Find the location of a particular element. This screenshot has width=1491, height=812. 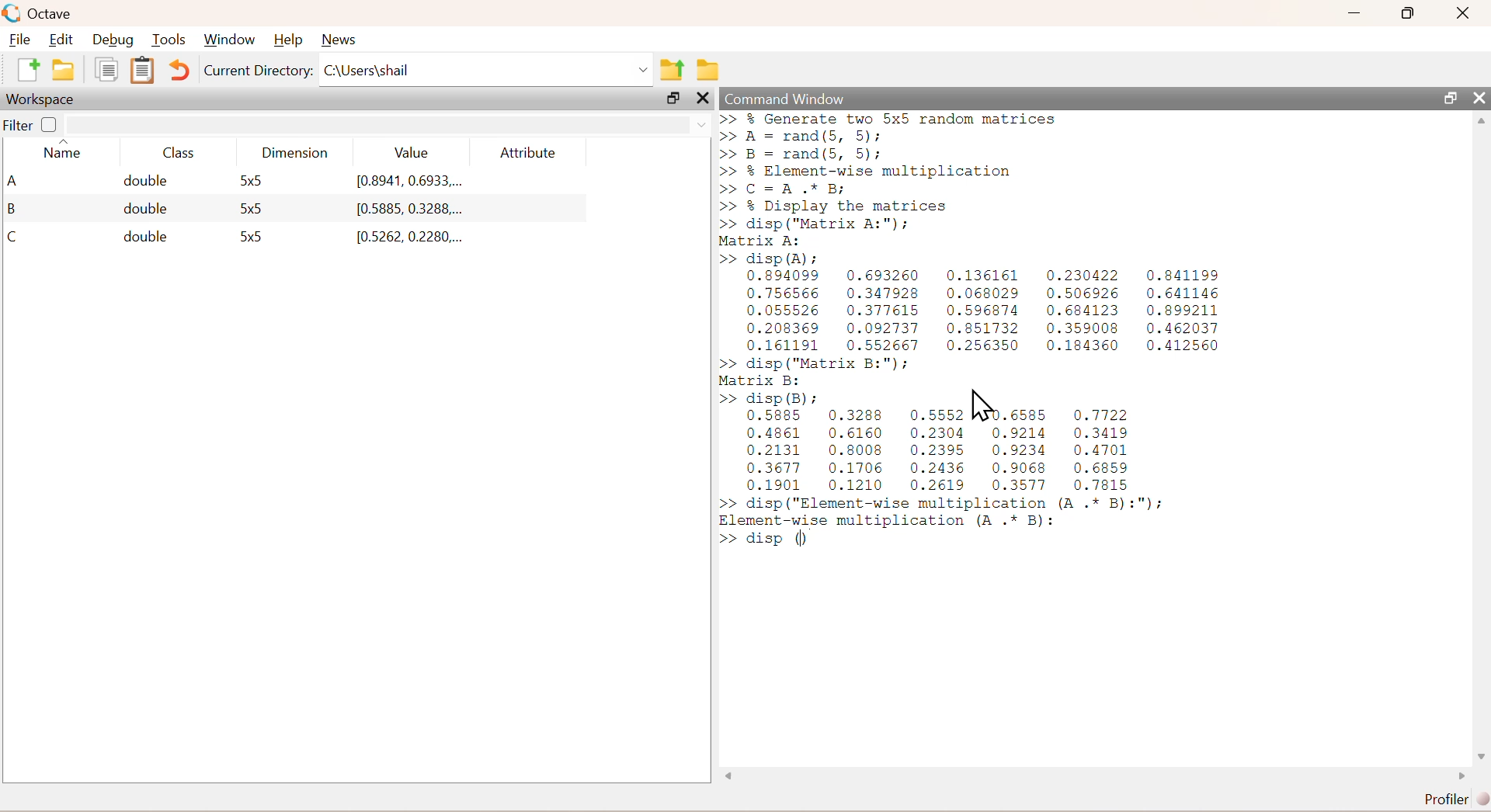

Edit is located at coordinates (65, 38).